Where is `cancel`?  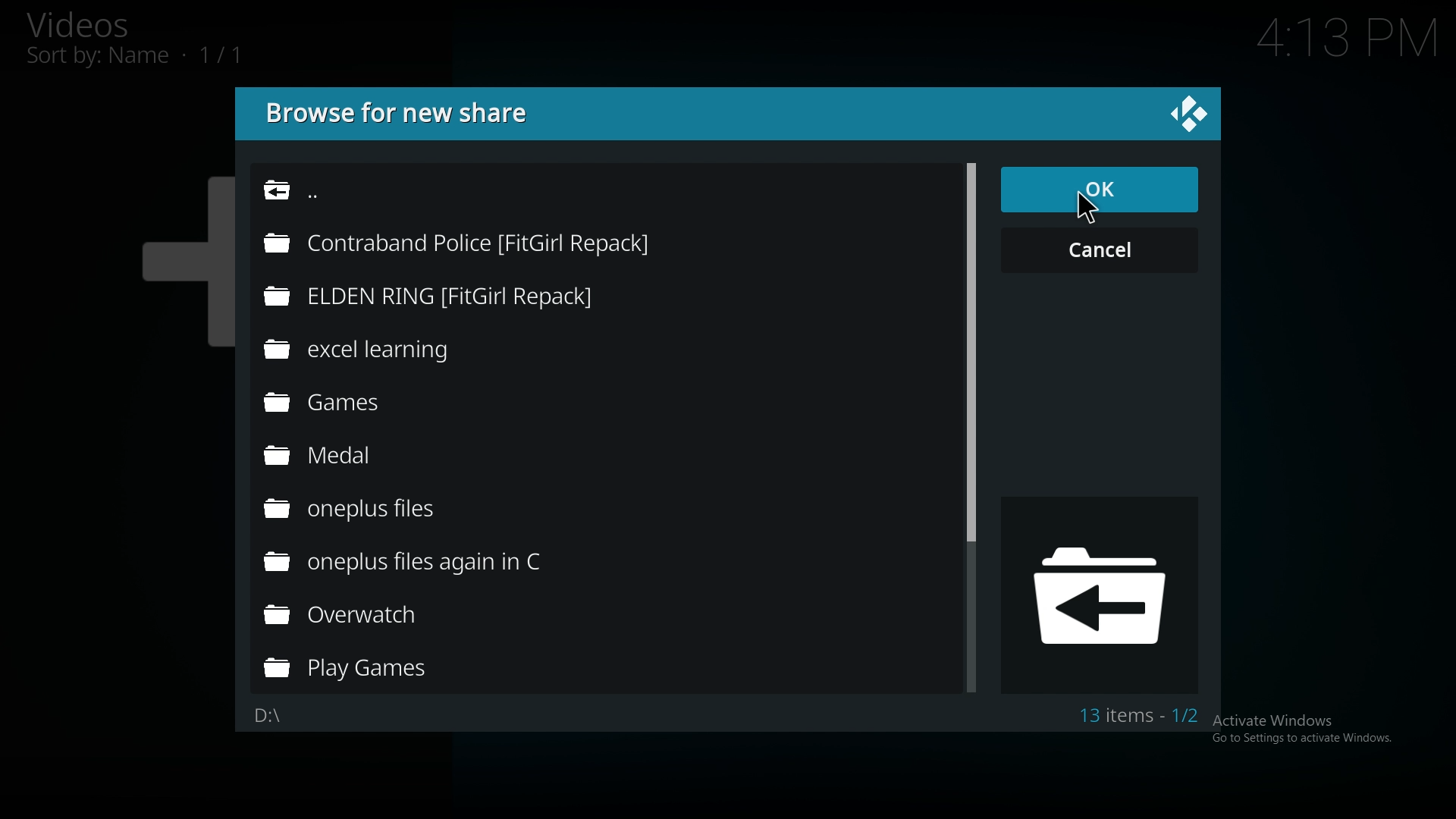 cancel is located at coordinates (1102, 250).